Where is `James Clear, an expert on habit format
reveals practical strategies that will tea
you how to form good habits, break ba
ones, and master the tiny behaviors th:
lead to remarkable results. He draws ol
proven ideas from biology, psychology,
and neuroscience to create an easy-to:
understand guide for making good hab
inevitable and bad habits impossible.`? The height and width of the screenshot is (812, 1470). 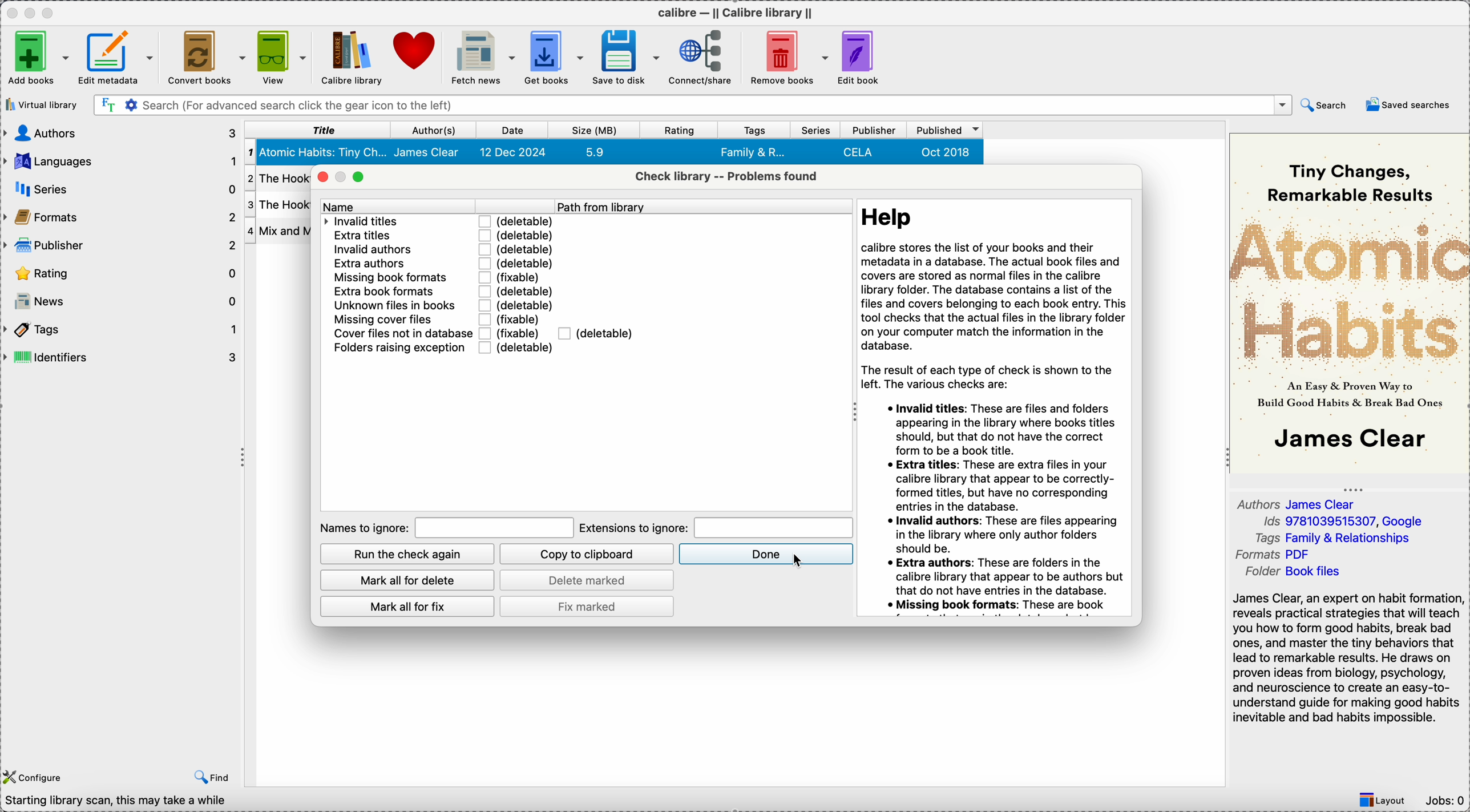
James Clear, an expert on habit format
reveals practical strategies that will tea
you how to form good habits, break ba
ones, and master the tiny behaviors th:
lead to remarkable results. He draws ol
proven ideas from biology, psychology,
and neuroscience to create an easy-to:
understand guide for making good hab
inevitable and bad habits impossible. is located at coordinates (1343, 656).